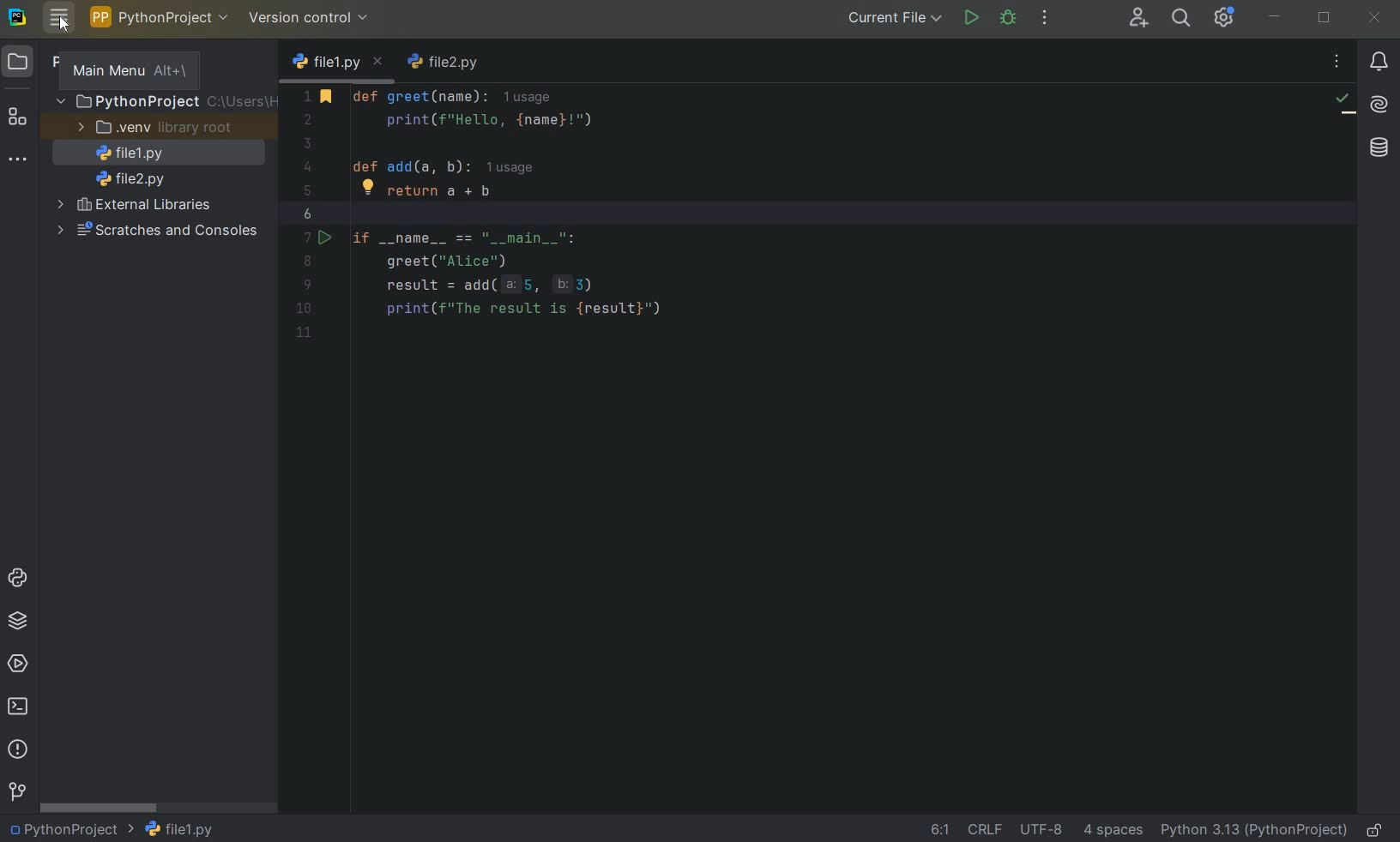 This screenshot has height=842, width=1400. Describe the element at coordinates (130, 178) in the screenshot. I see `file name 2` at that location.